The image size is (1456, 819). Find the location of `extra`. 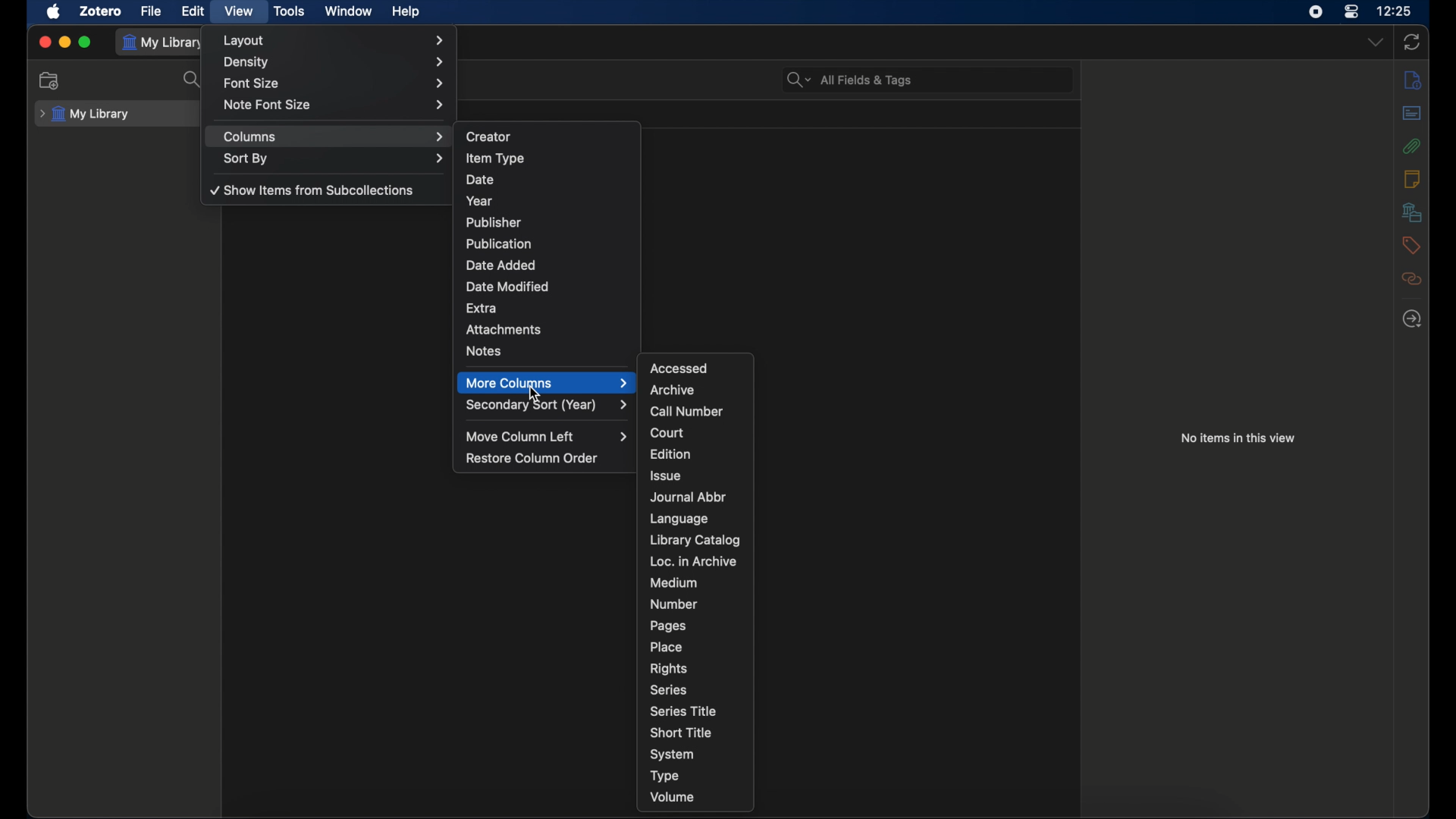

extra is located at coordinates (482, 309).